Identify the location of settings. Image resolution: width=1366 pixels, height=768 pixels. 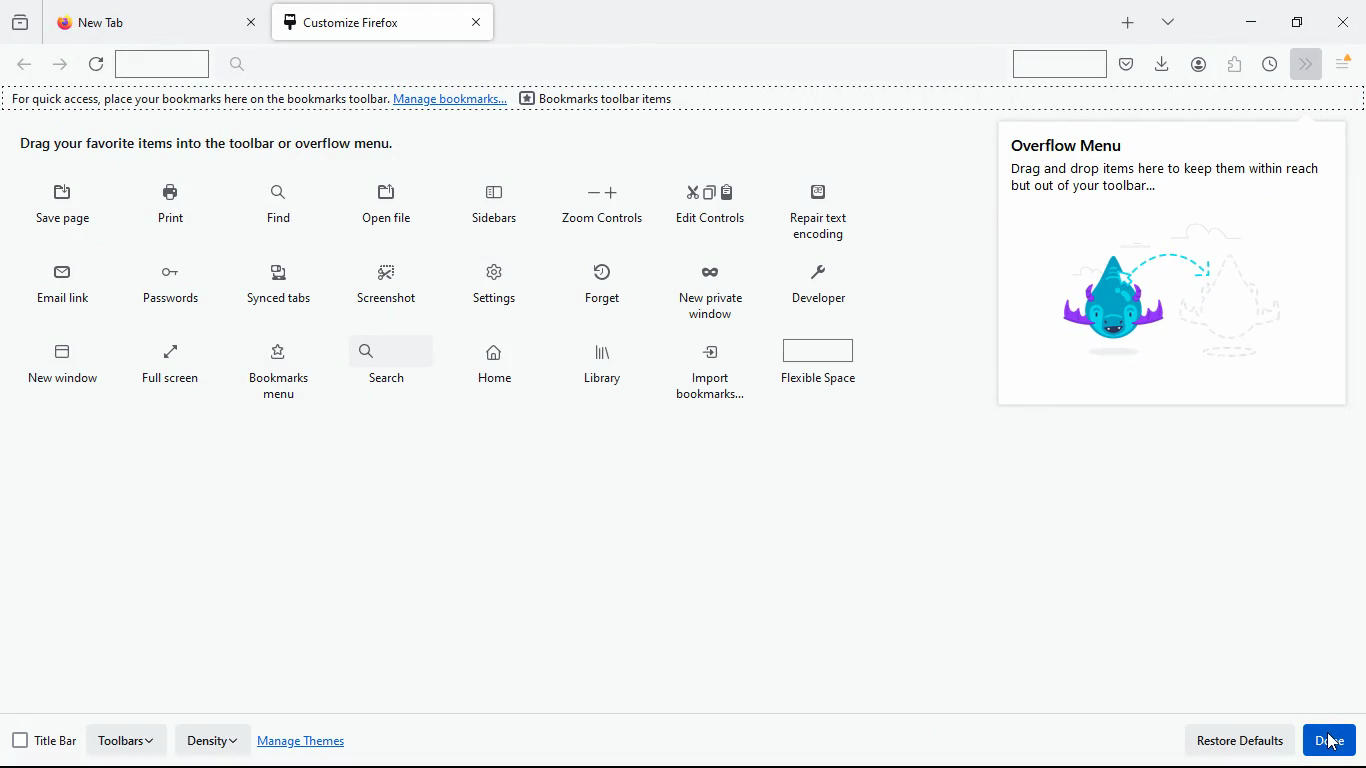
(607, 285).